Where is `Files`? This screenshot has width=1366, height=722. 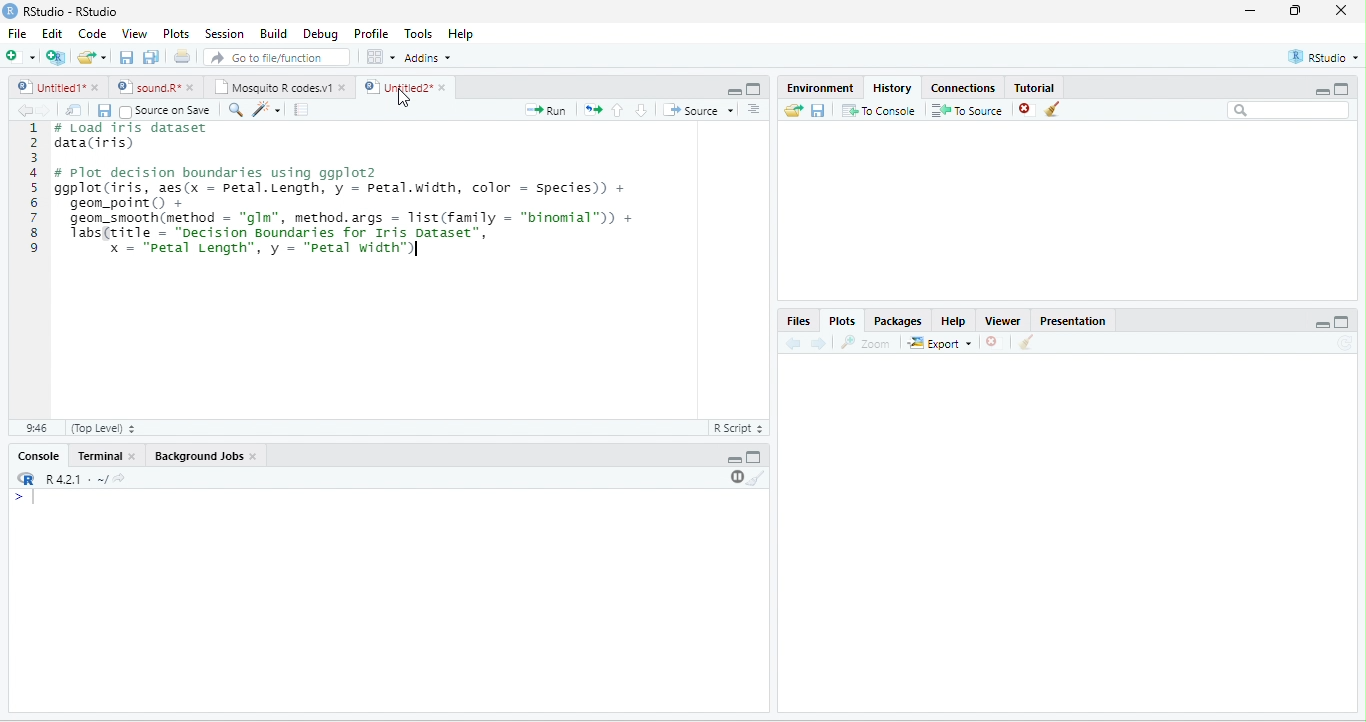
Files is located at coordinates (797, 322).